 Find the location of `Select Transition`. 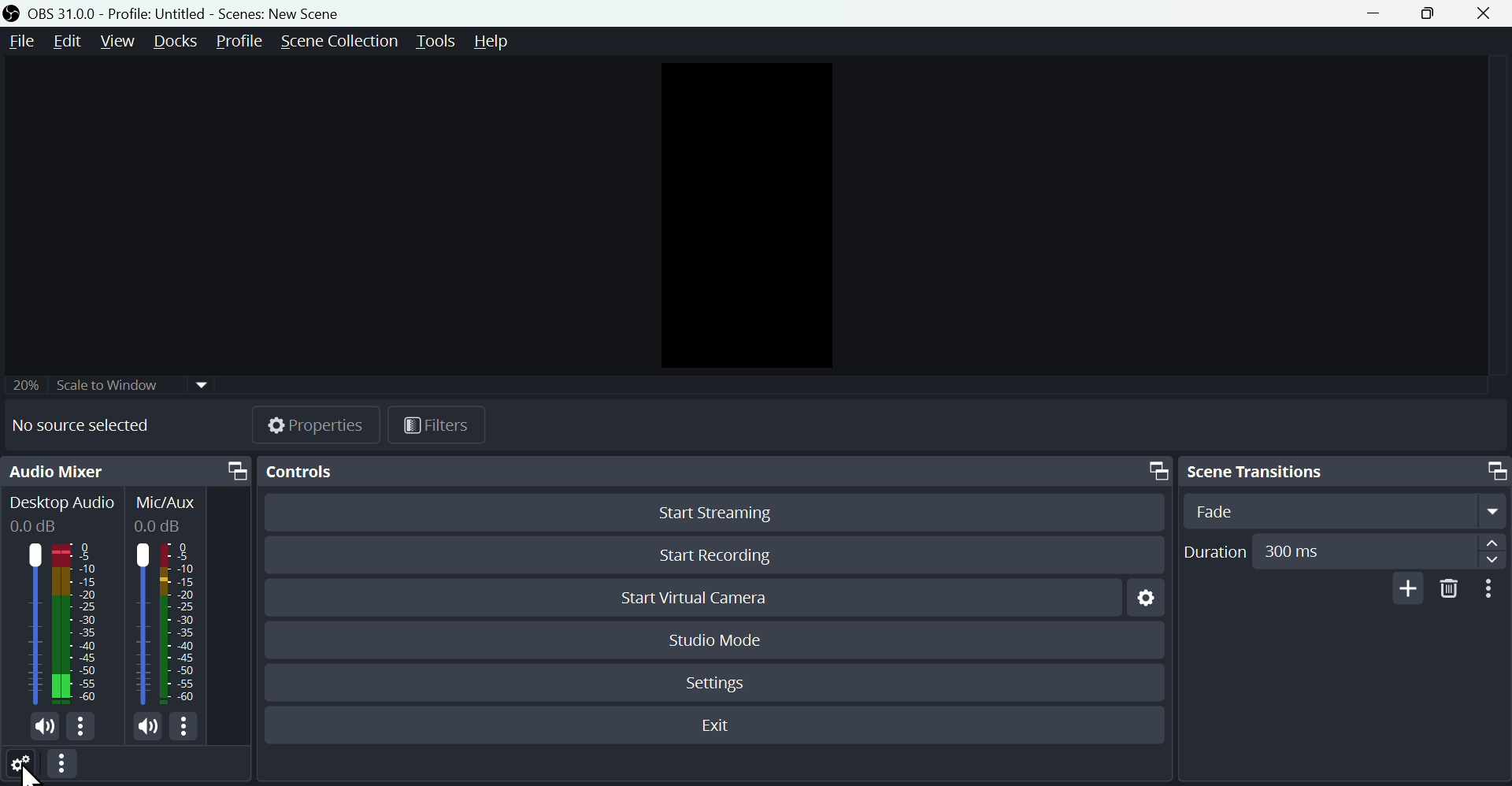

Select Transition is located at coordinates (1345, 510).